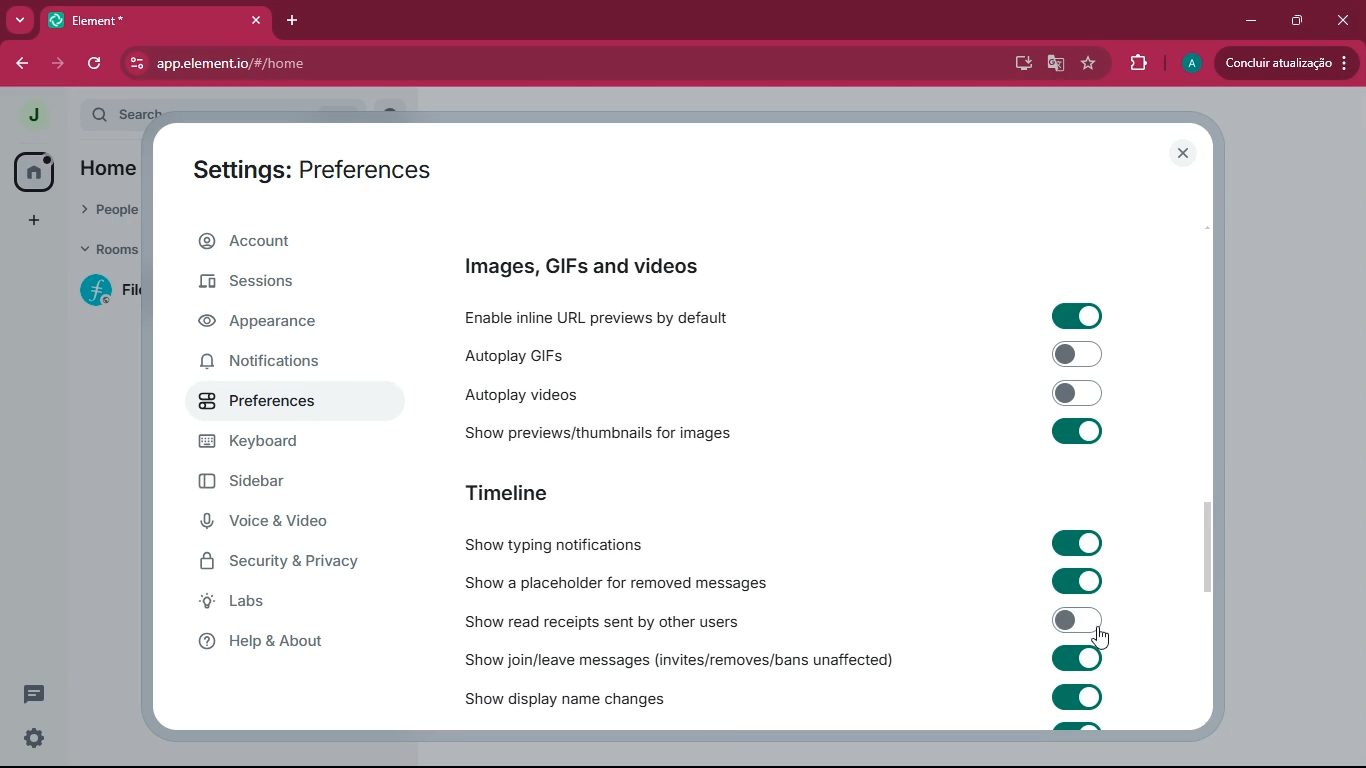 This screenshot has width=1366, height=768. Describe the element at coordinates (34, 738) in the screenshot. I see `quick settings` at that location.